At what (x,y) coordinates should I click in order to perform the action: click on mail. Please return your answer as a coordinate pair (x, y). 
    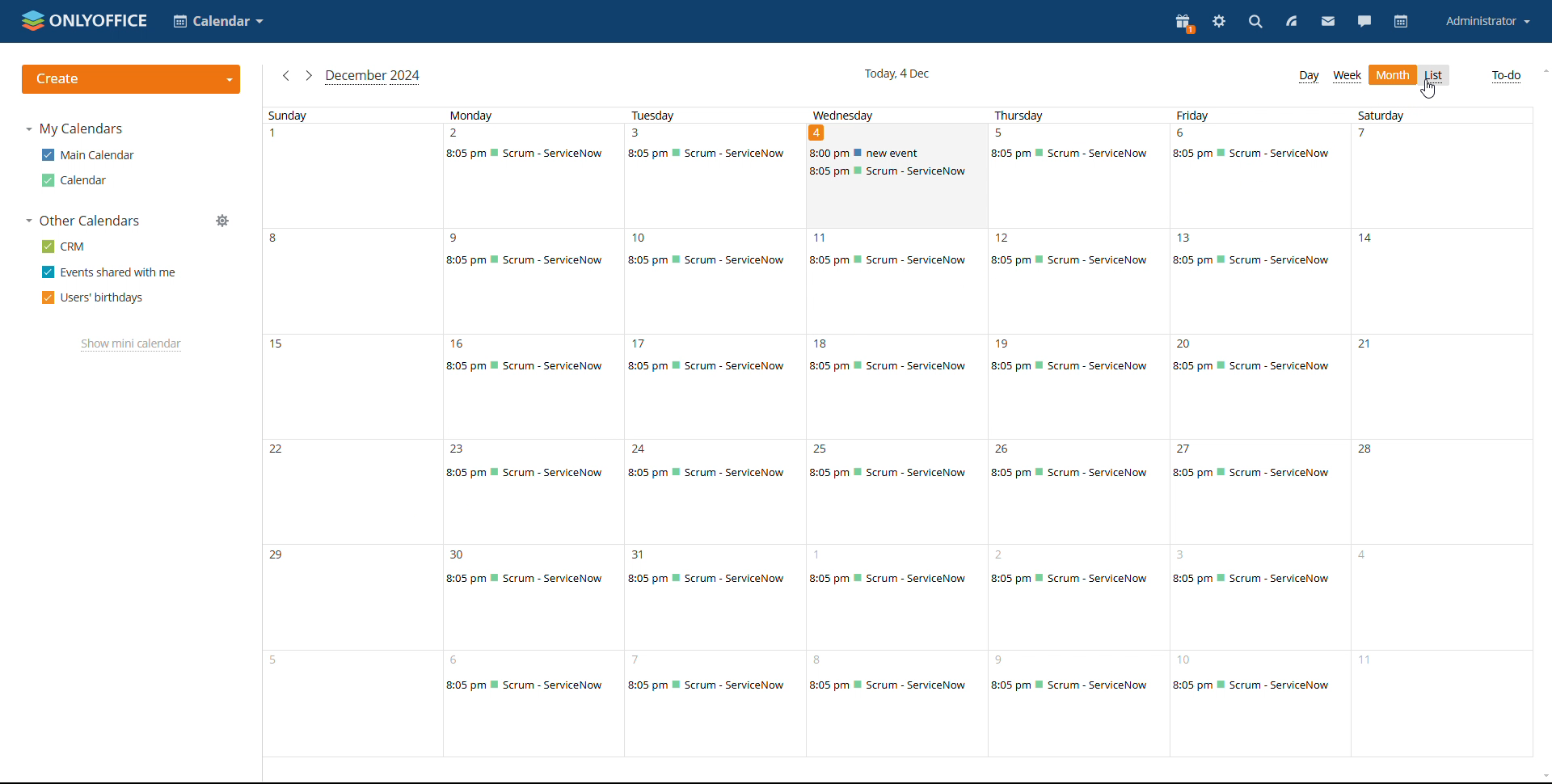
    Looking at the image, I should click on (1329, 23).